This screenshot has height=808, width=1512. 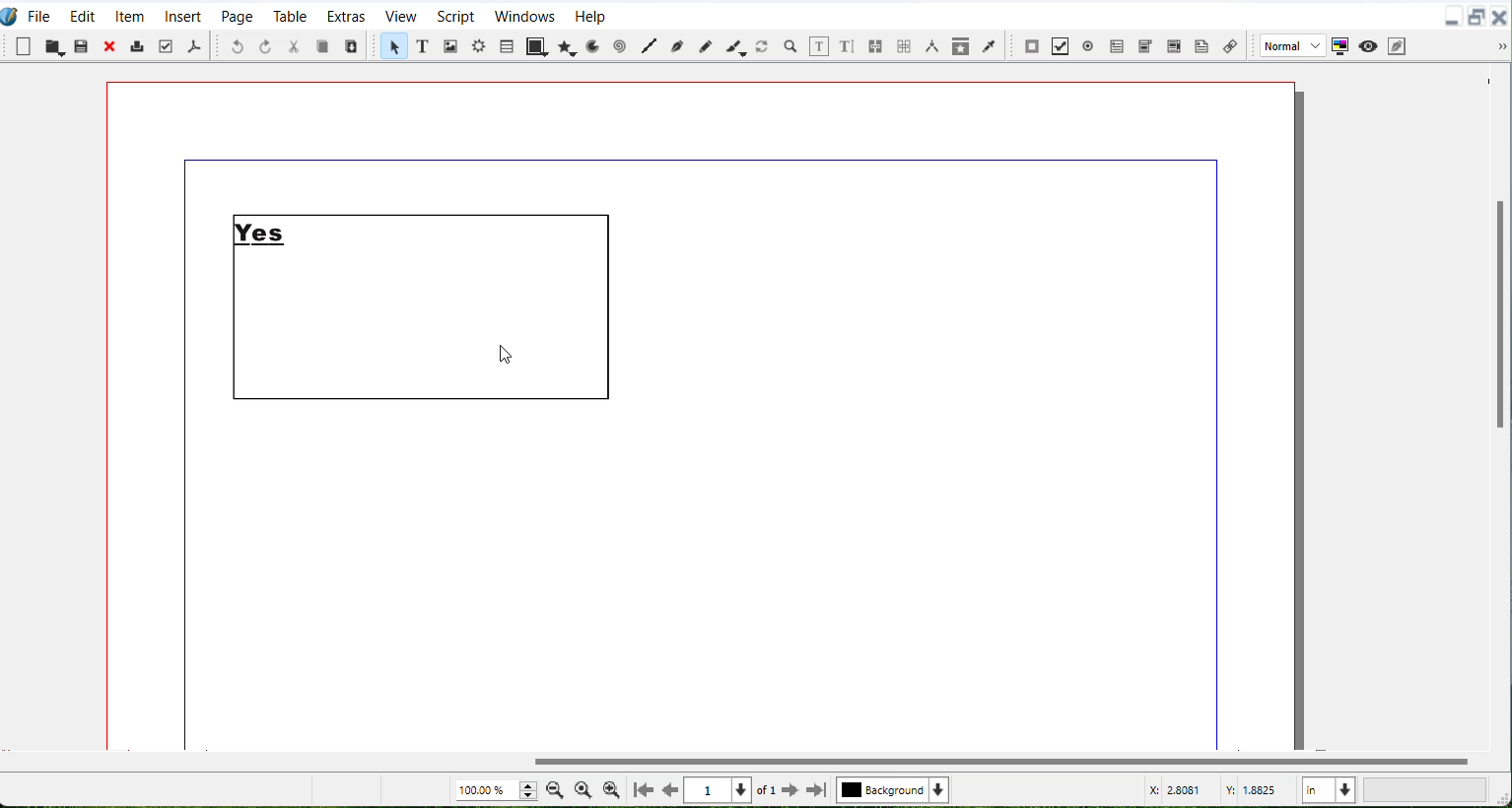 What do you see at coordinates (590, 15) in the screenshot?
I see `Help` at bounding box center [590, 15].